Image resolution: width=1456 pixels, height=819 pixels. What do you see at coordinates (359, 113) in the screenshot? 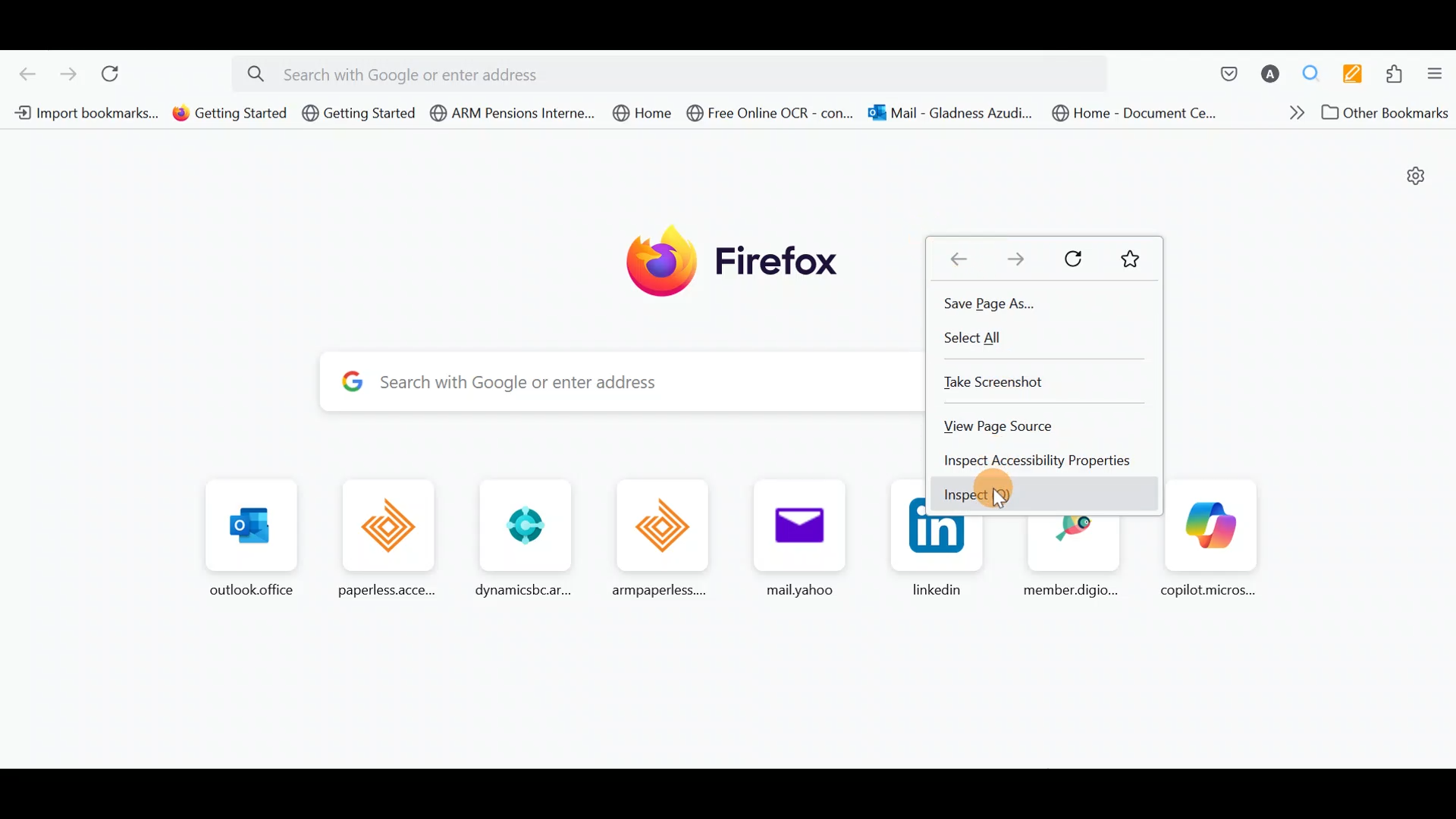
I see `Bookmark 3` at bounding box center [359, 113].